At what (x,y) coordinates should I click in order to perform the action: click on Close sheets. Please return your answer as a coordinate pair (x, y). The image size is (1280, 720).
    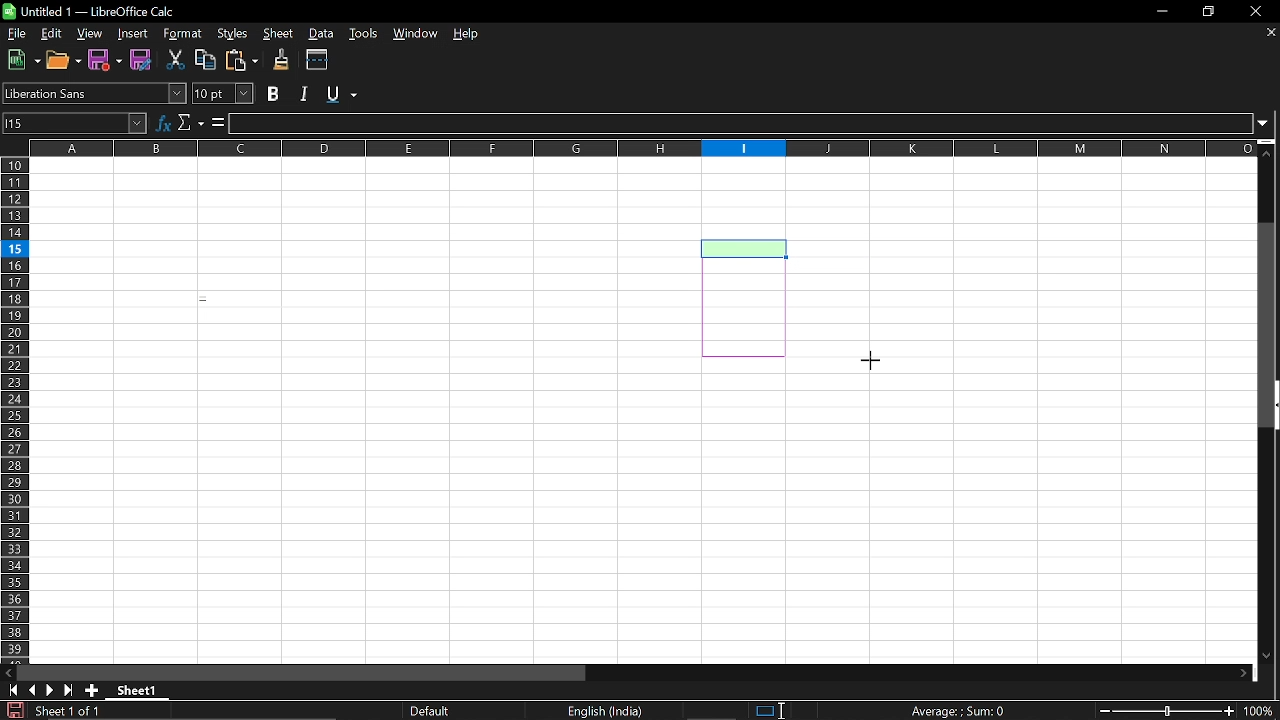
    Looking at the image, I should click on (1269, 34).